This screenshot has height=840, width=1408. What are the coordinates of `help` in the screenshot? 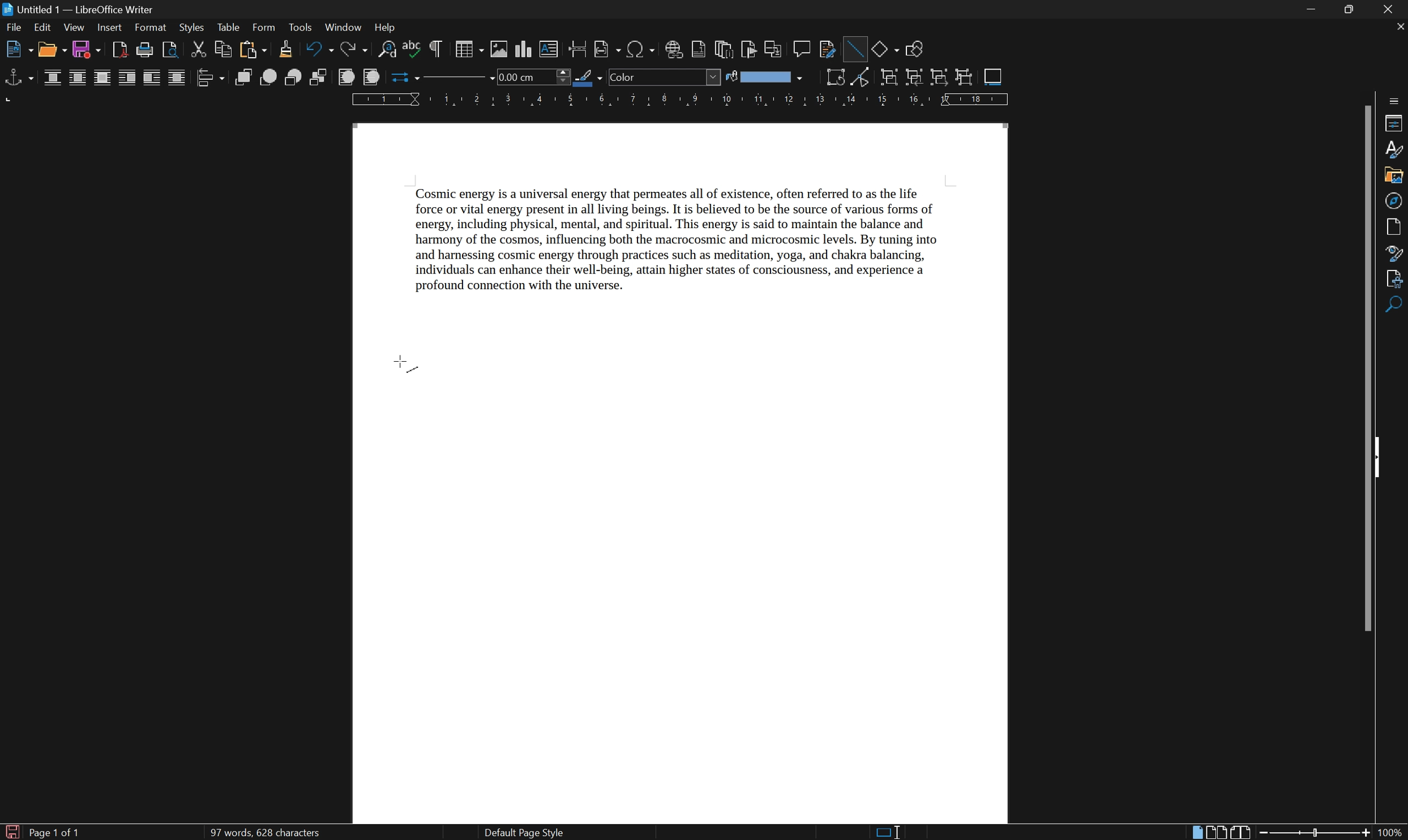 It's located at (388, 28).